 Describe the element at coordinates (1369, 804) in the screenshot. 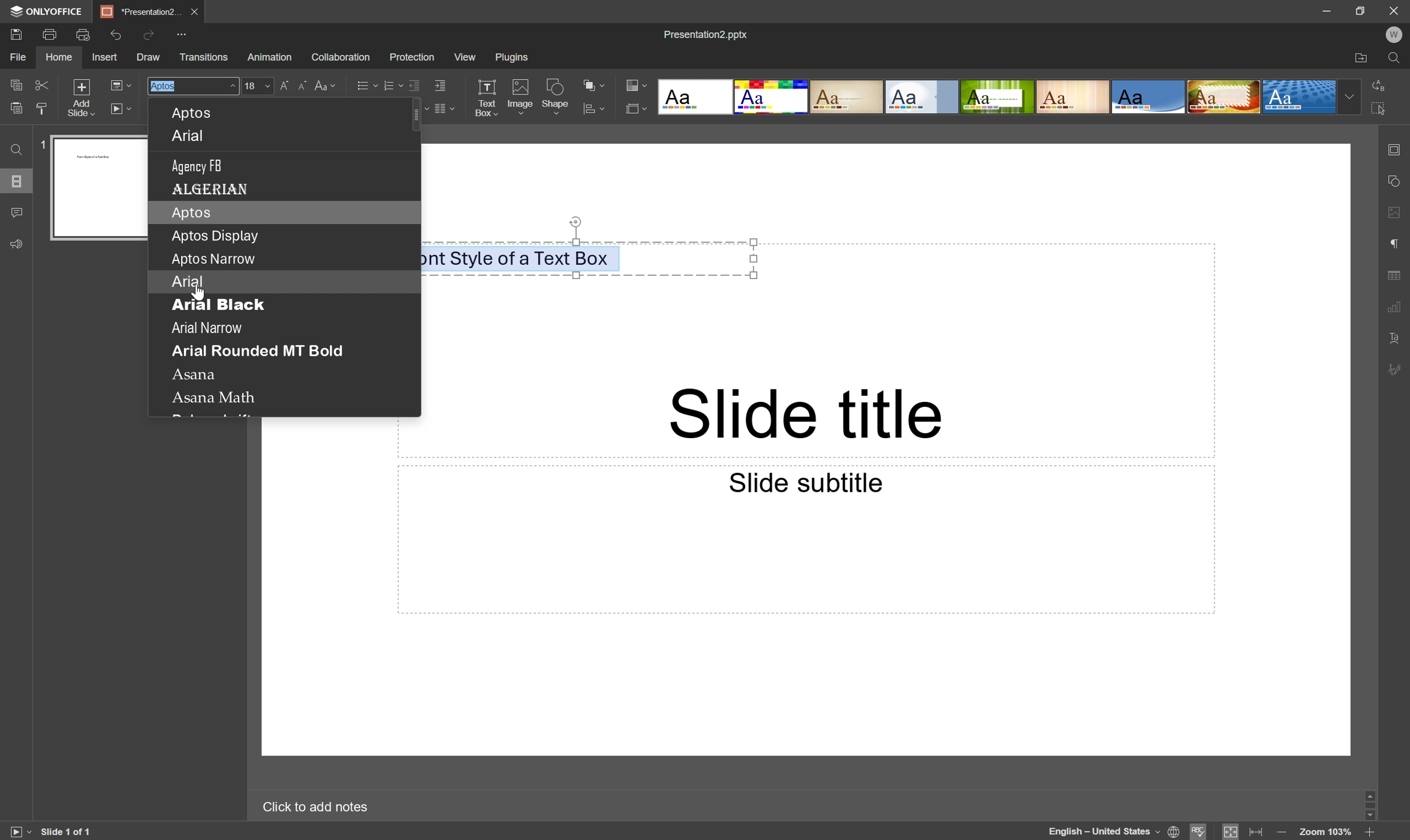

I see `Scroll Bar` at that location.